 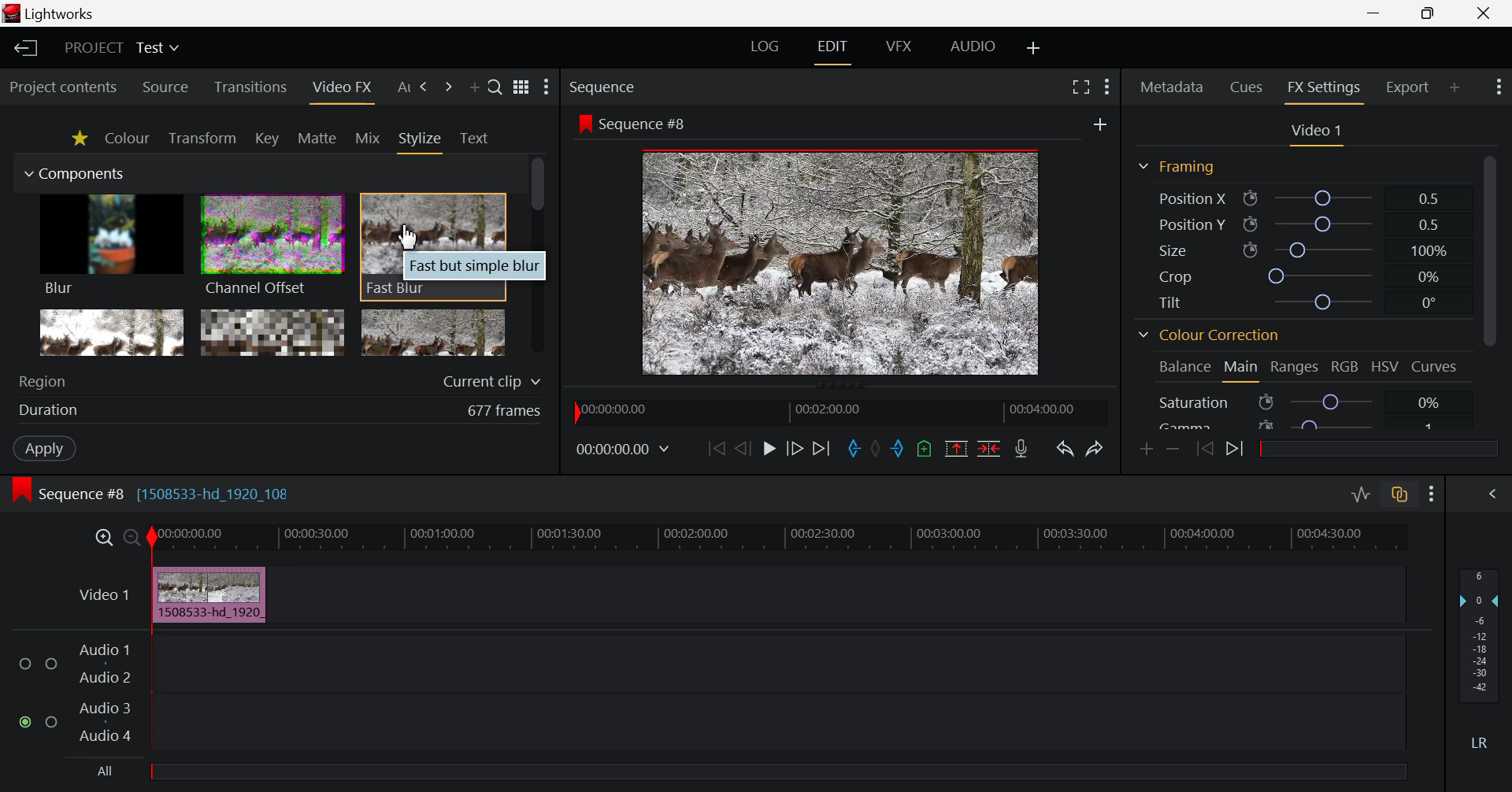 What do you see at coordinates (1433, 367) in the screenshot?
I see `Curves` at bounding box center [1433, 367].